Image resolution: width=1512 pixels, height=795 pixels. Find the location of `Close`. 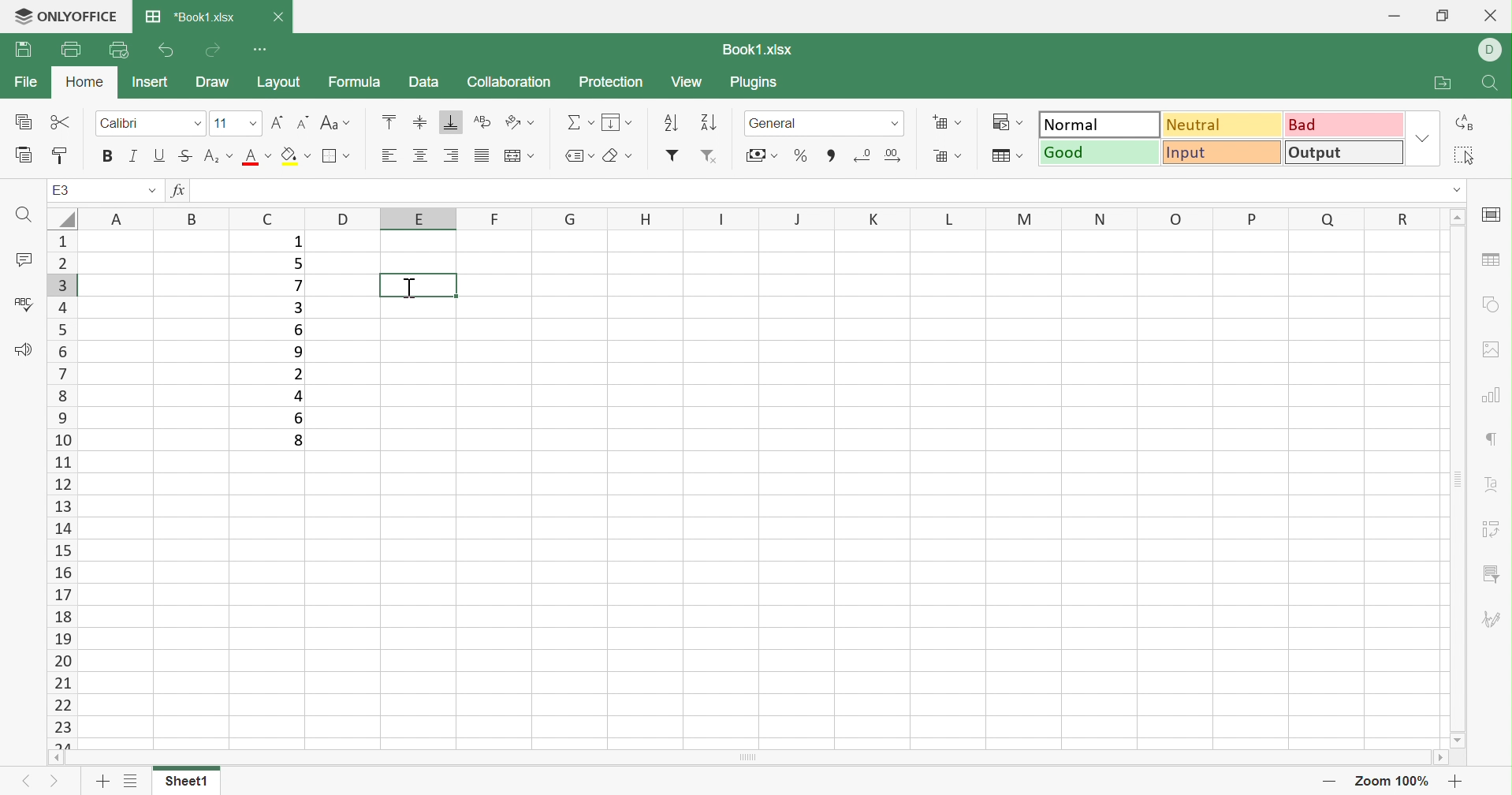

Close is located at coordinates (282, 17).